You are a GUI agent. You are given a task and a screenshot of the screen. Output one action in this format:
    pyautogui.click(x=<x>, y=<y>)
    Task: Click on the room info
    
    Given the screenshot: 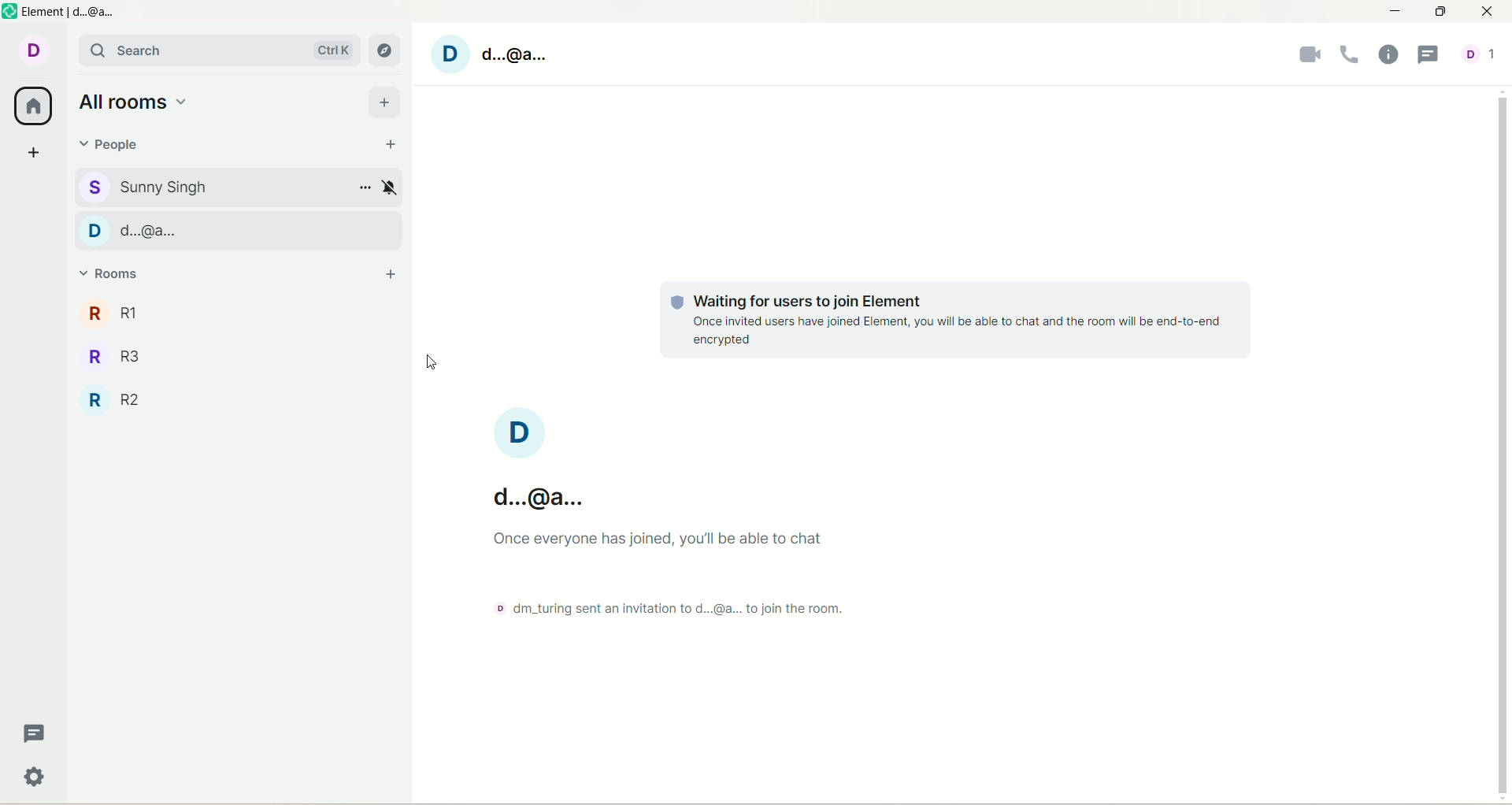 What is the action you would take?
    pyautogui.click(x=1386, y=57)
    